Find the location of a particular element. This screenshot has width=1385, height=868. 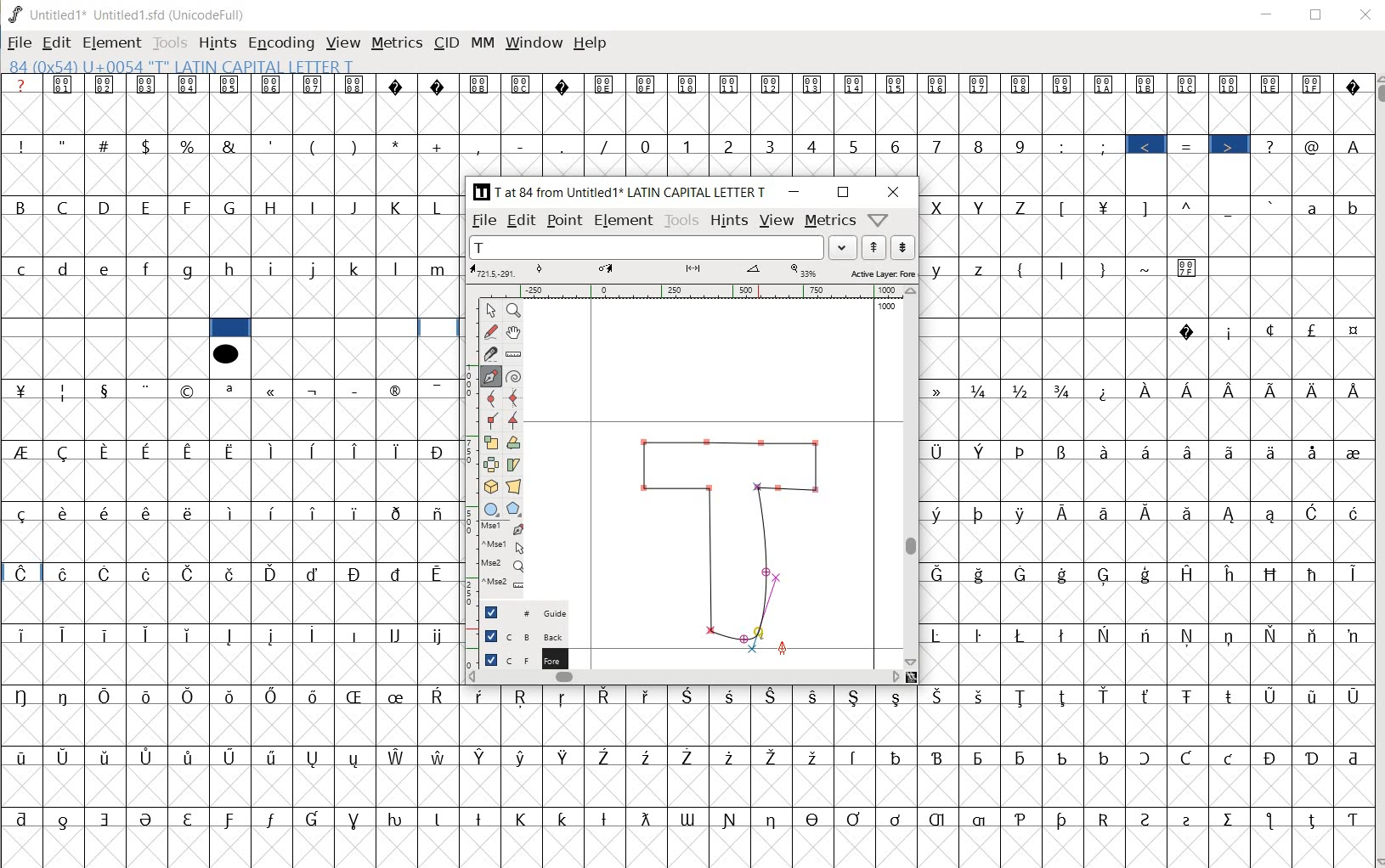

Symbol is located at coordinates (23, 695).